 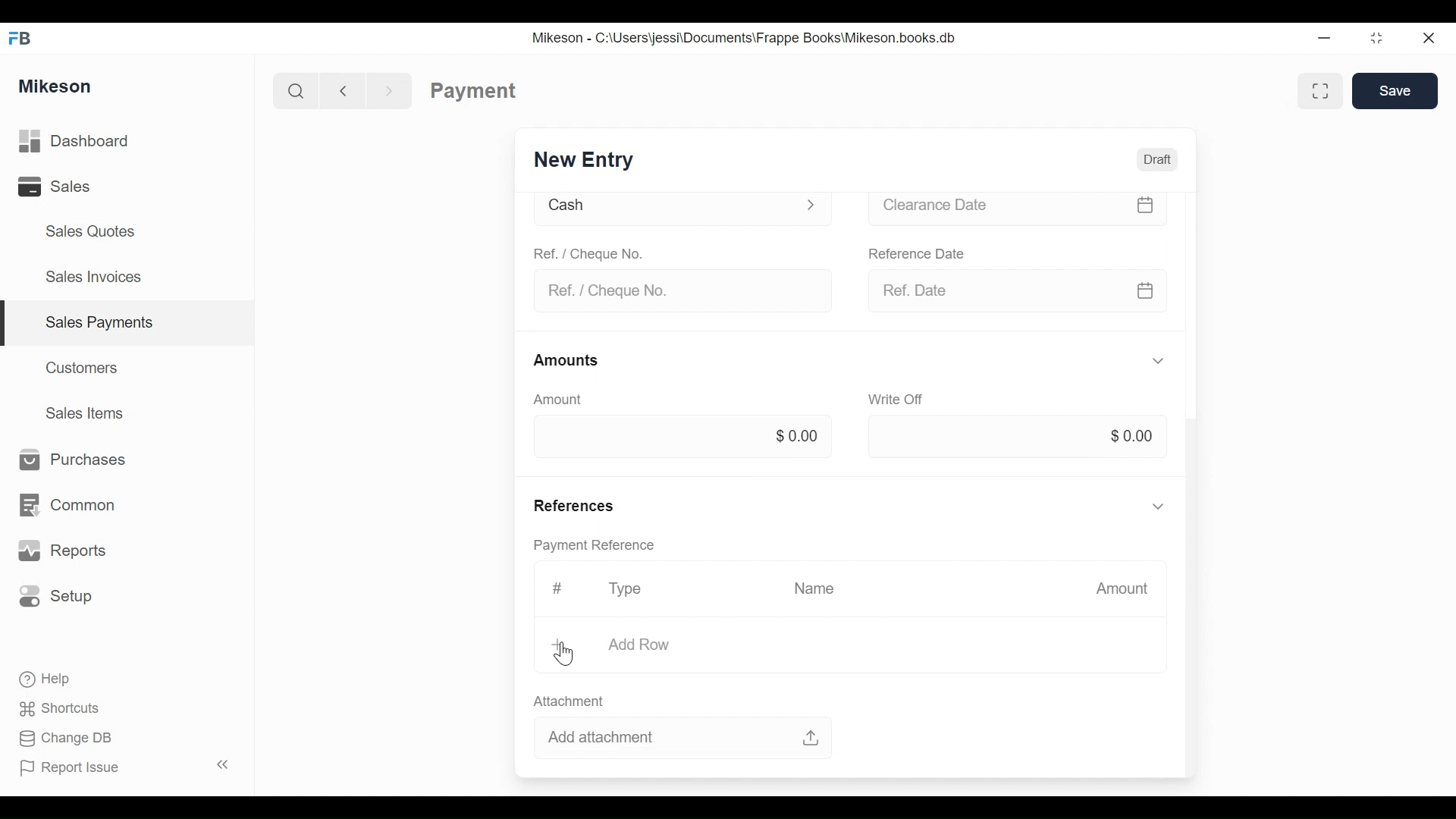 I want to click on Amounts, so click(x=566, y=360).